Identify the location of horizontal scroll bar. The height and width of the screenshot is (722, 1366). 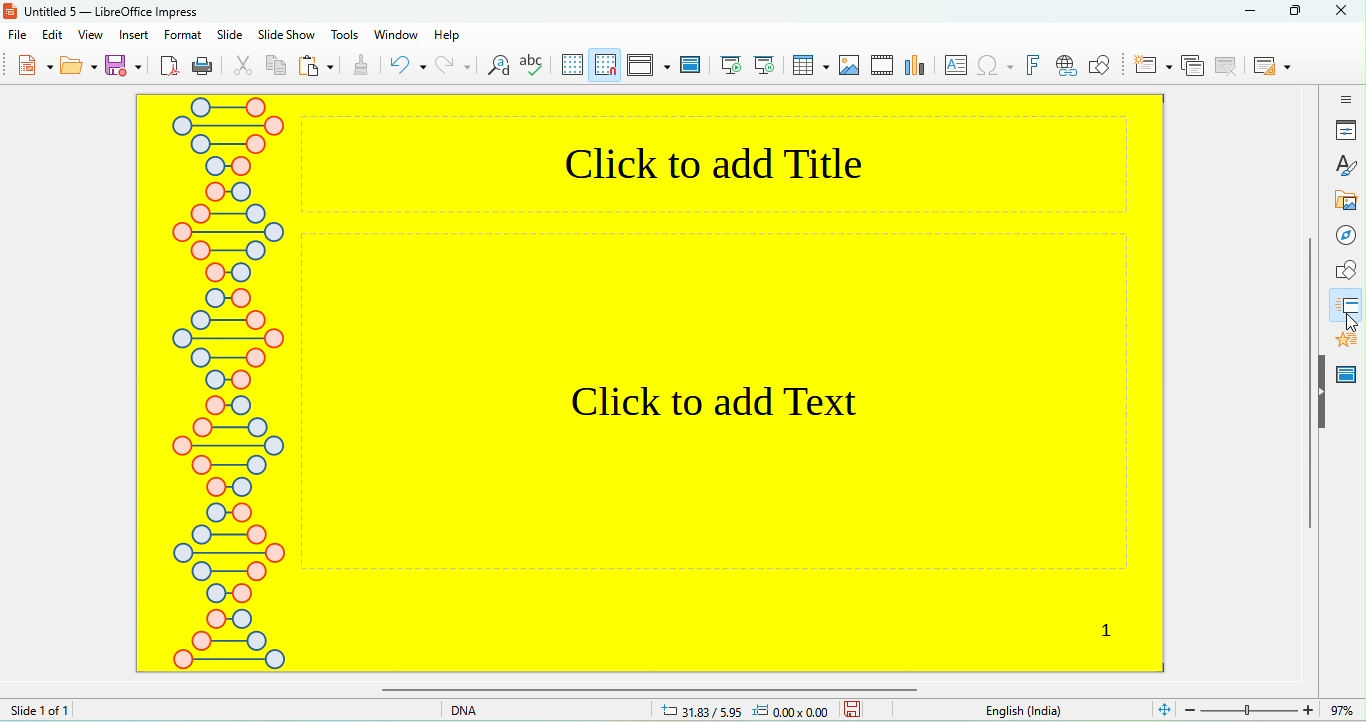
(661, 690).